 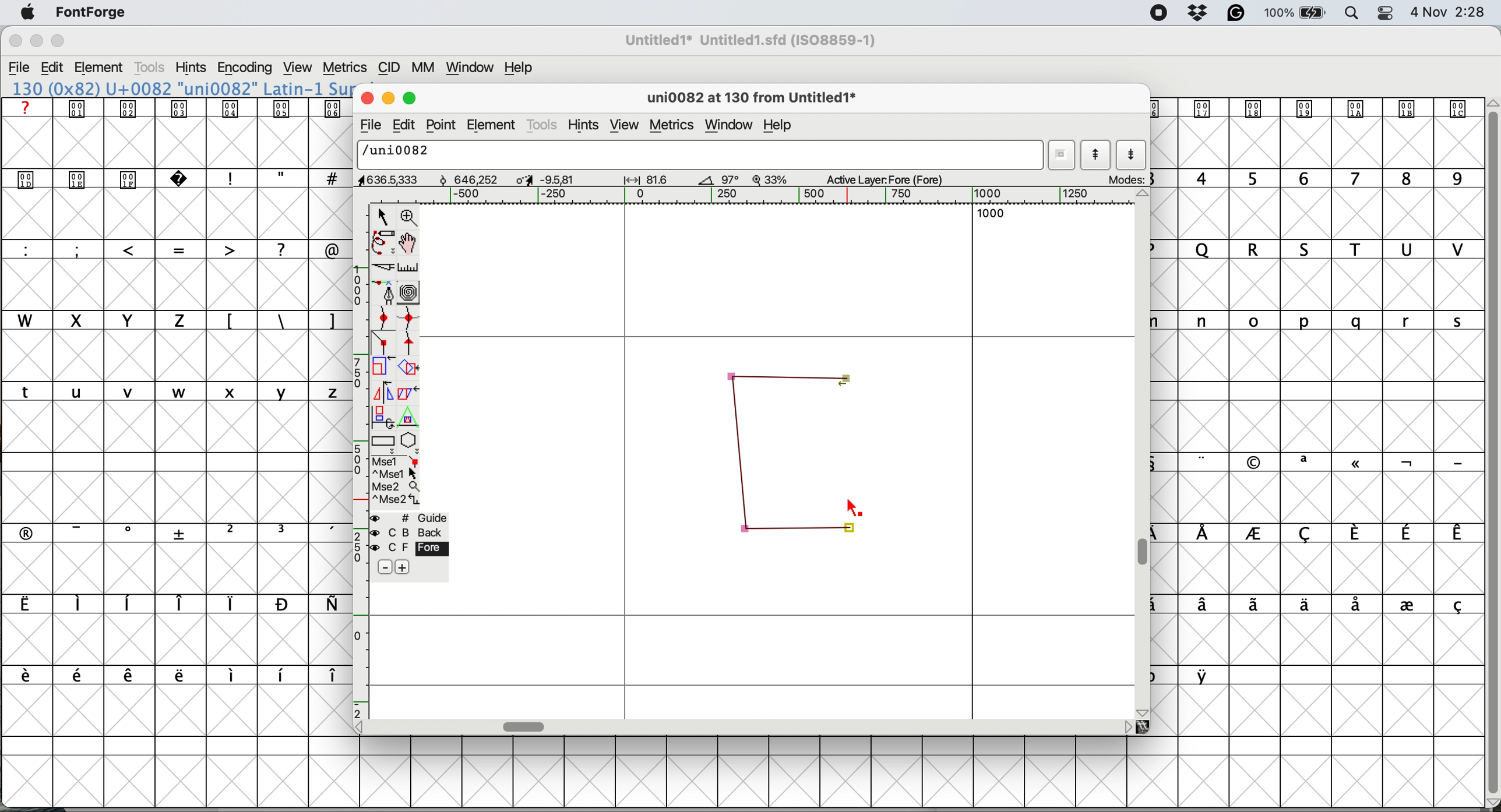 I want to click on help, so click(x=781, y=127).